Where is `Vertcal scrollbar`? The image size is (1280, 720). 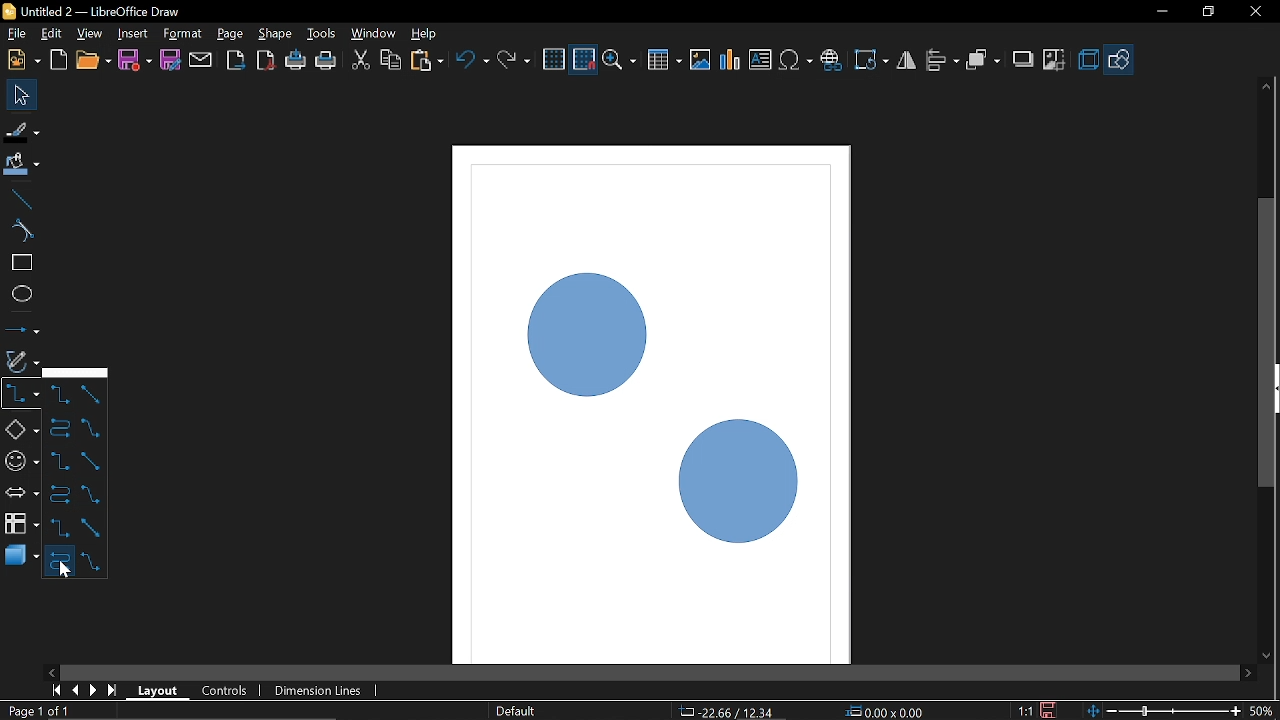
Vertcal scrollbar is located at coordinates (1268, 346).